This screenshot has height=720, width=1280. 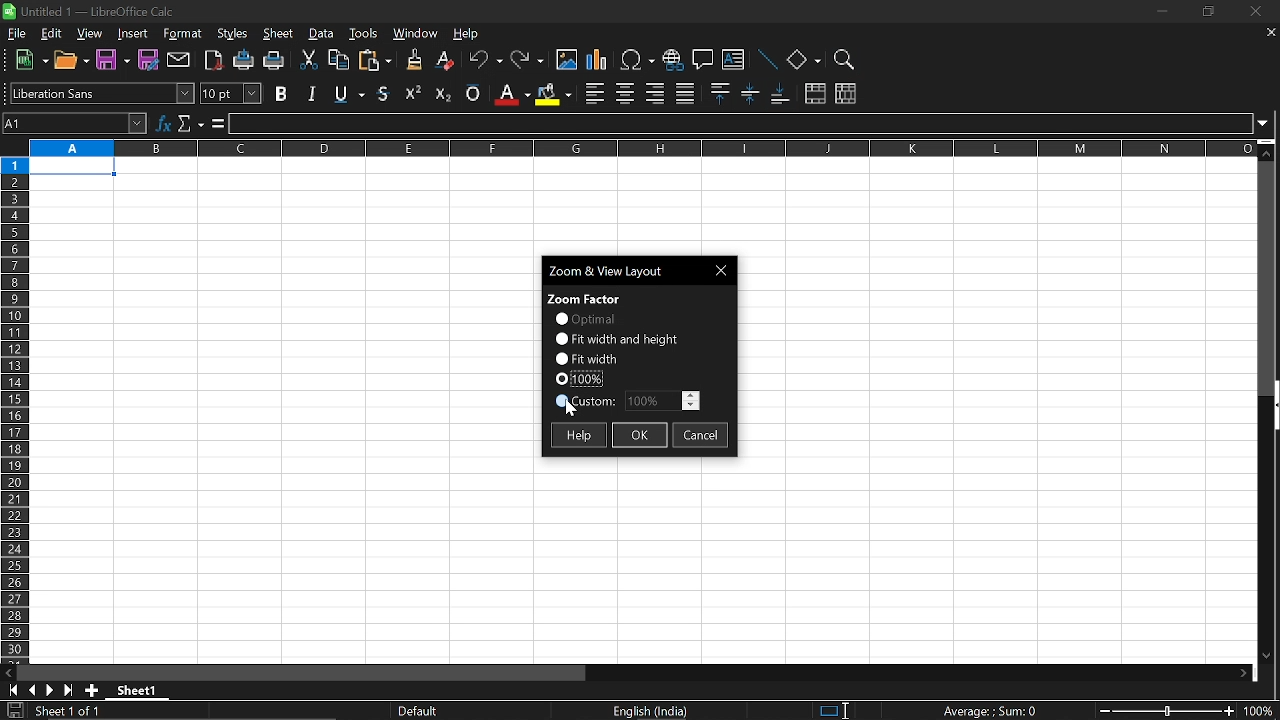 What do you see at coordinates (620, 269) in the screenshot?
I see `current window` at bounding box center [620, 269].